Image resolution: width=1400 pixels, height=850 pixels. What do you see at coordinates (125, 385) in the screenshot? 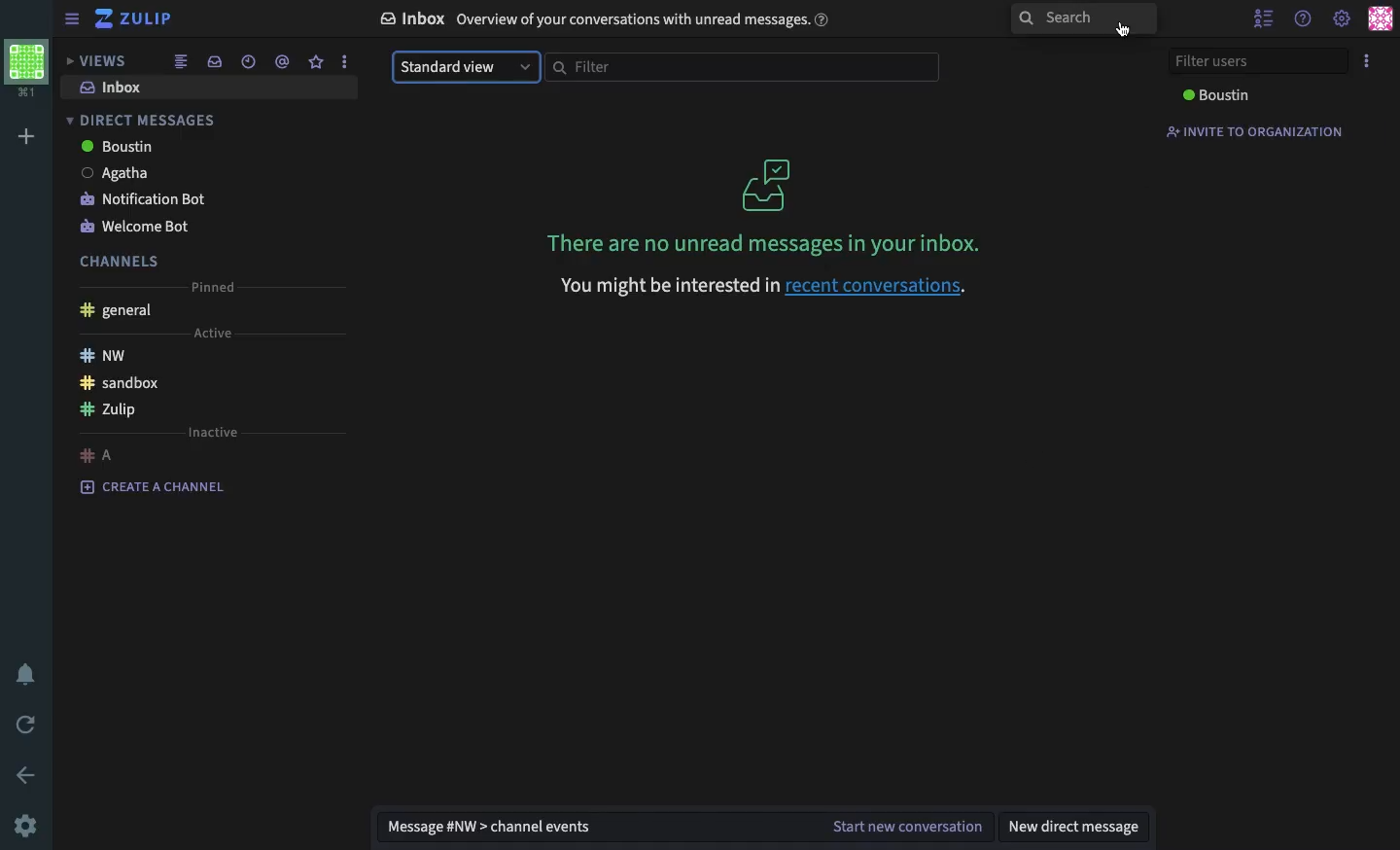
I see `sandbox` at bounding box center [125, 385].